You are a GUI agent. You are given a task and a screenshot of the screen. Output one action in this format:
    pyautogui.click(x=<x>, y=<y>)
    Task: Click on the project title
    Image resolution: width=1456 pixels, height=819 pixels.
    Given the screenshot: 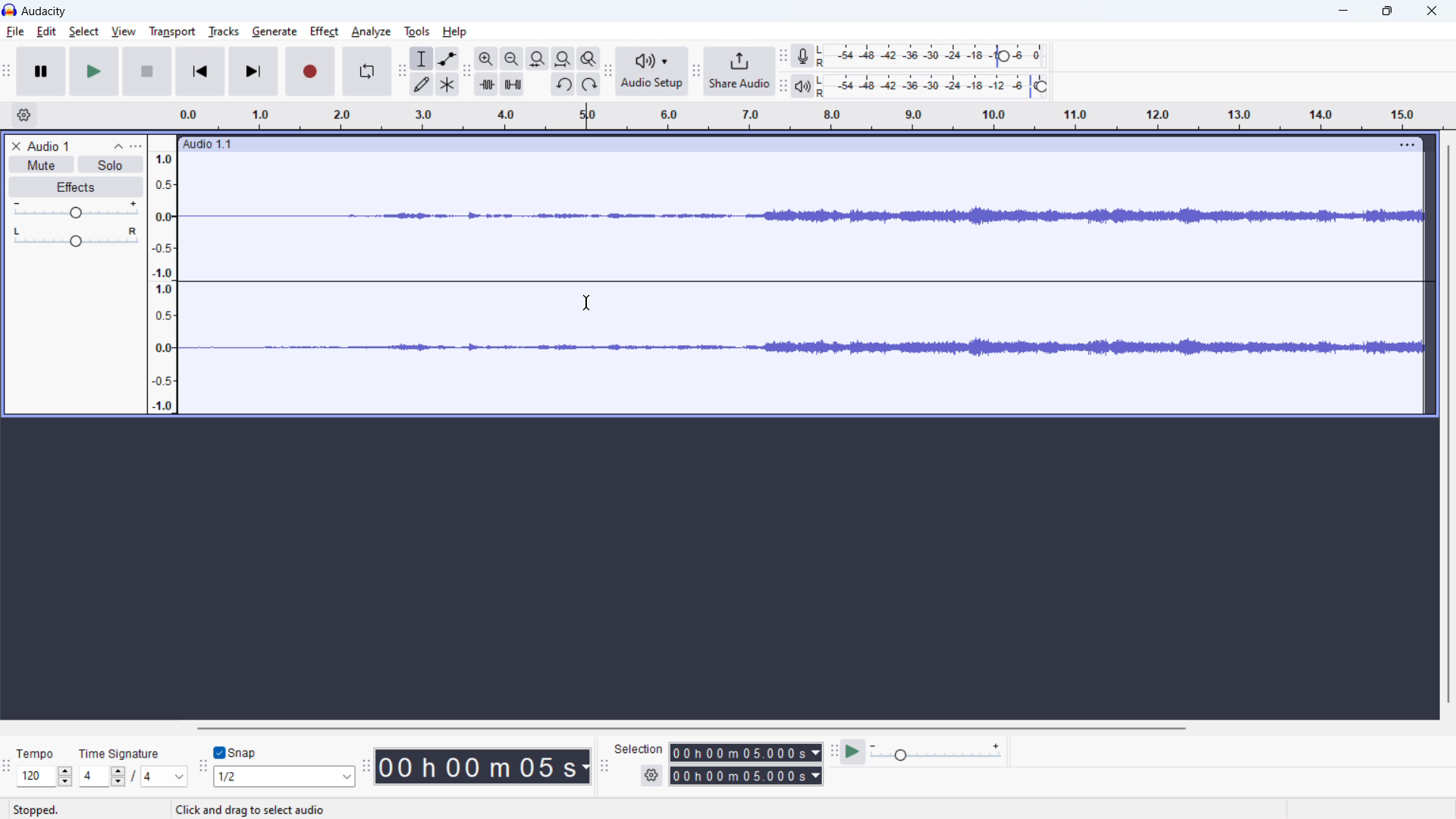 What is the action you would take?
    pyautogui.click(x=48, y=145)
    